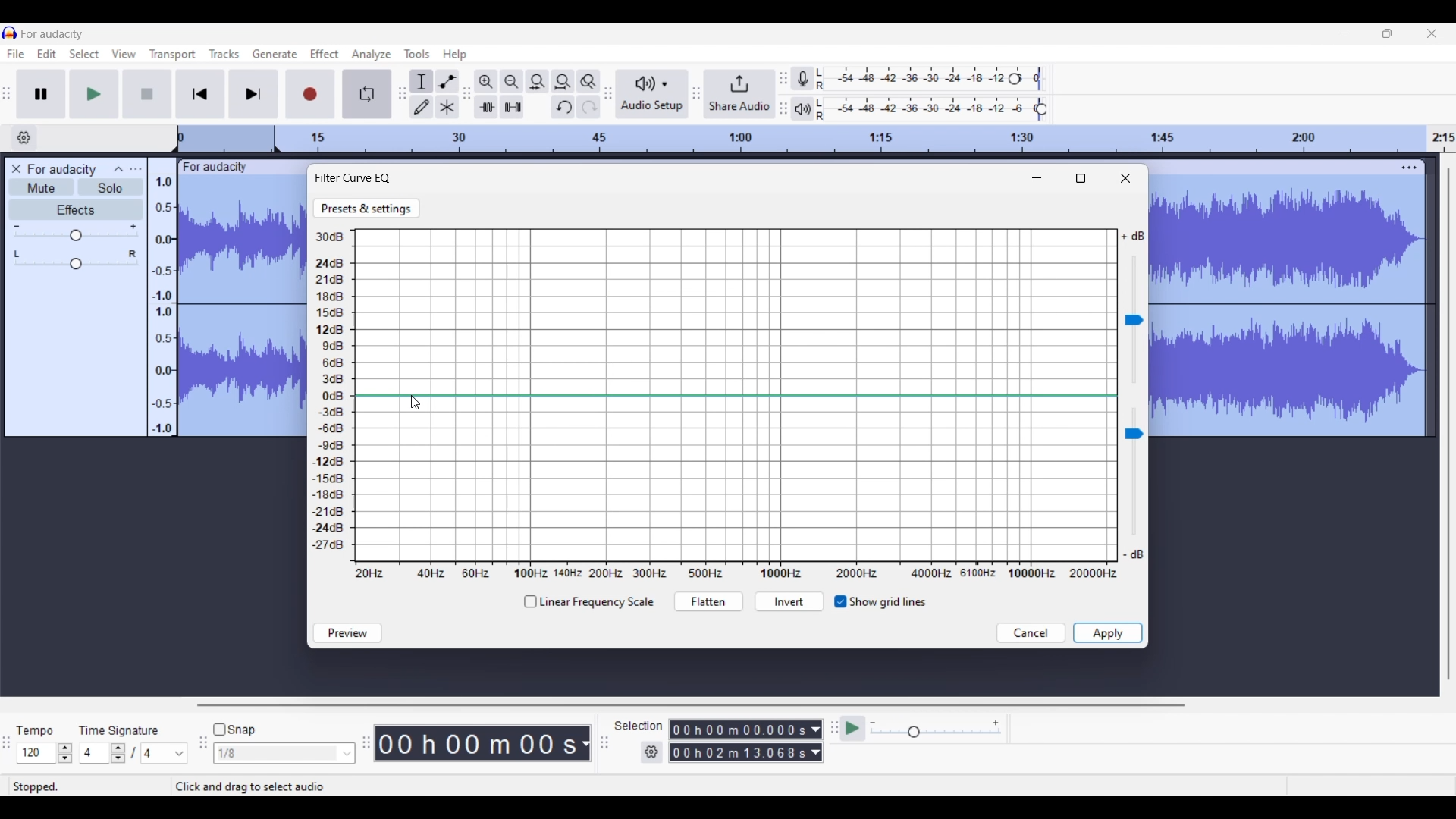  I want to click on Trim audio outside selection, so click(486, 106).